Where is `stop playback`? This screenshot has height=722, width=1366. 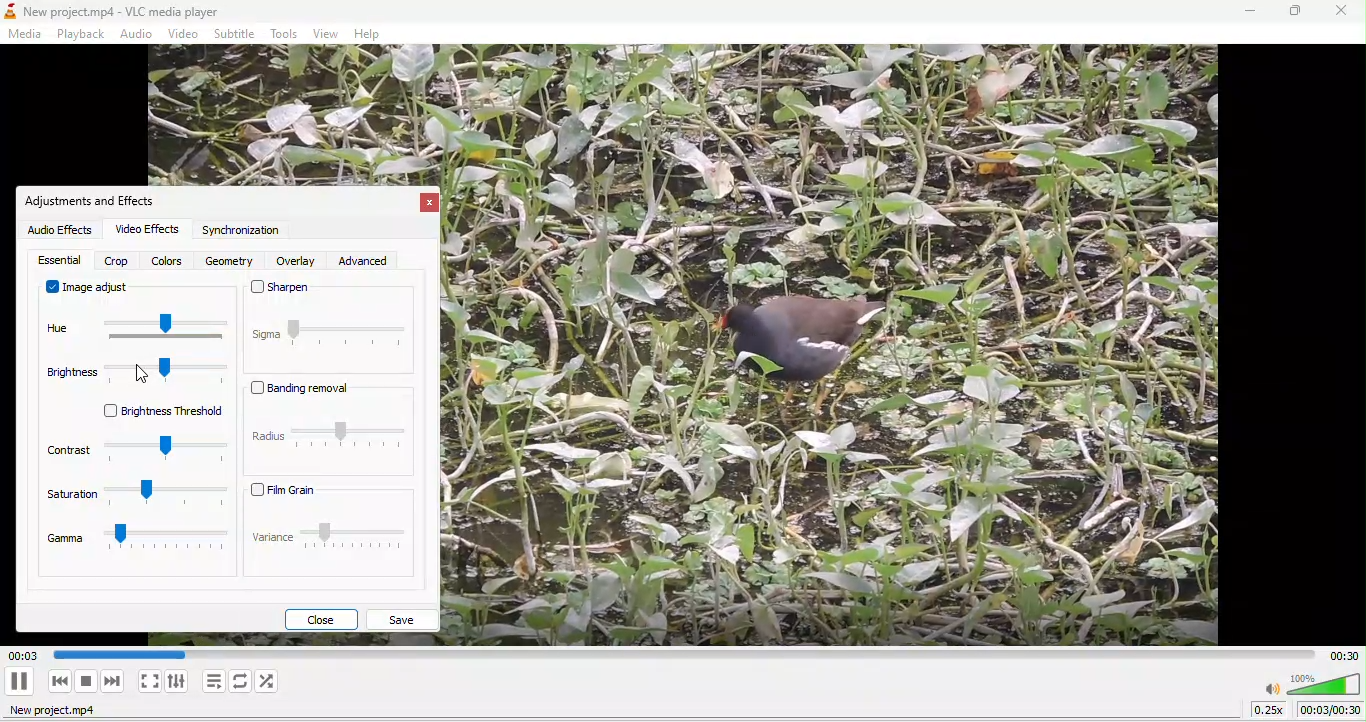 stop playback is located at coordinates (88, 681).